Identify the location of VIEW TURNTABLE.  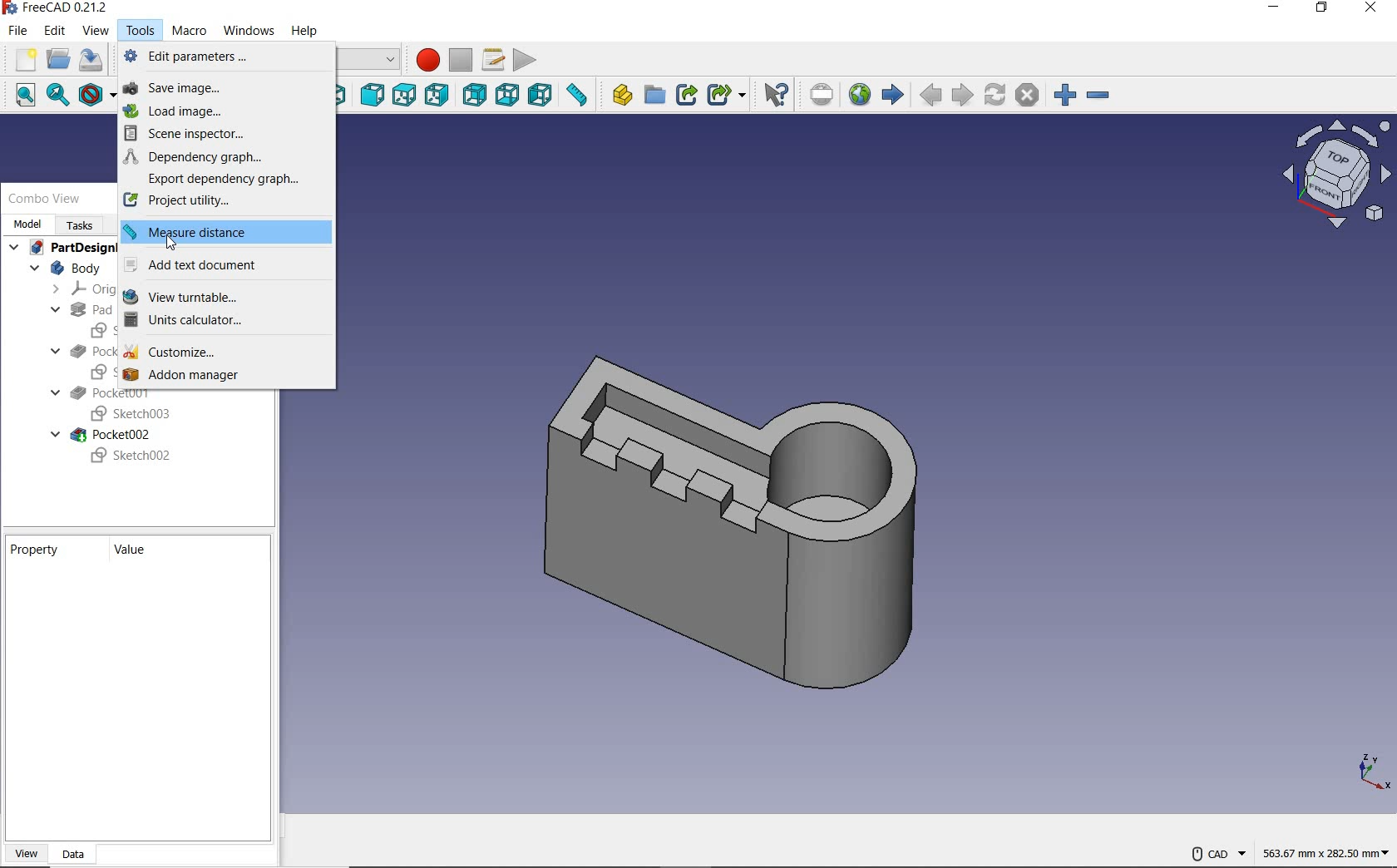
(222, 297).